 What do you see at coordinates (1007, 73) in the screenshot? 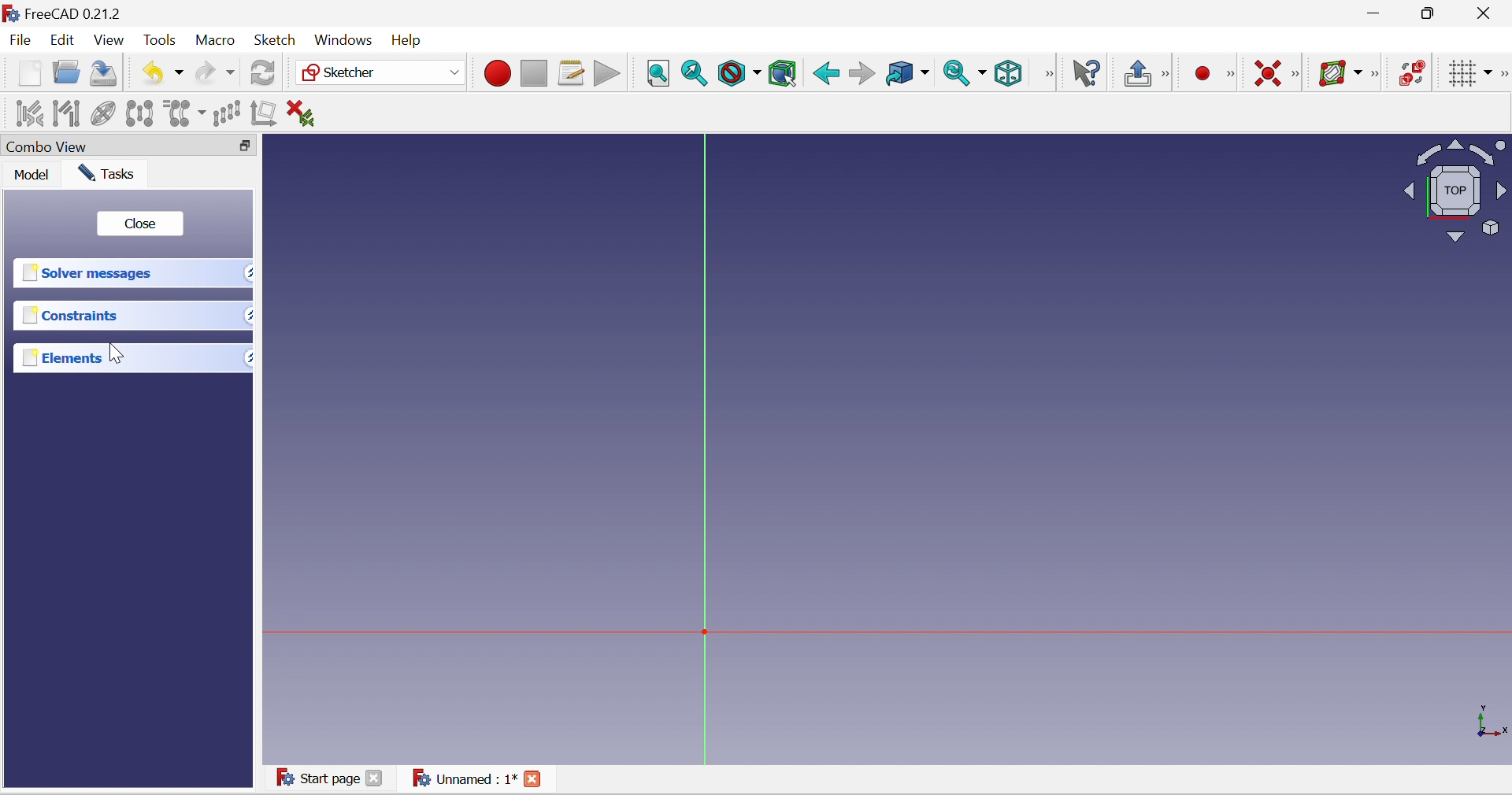
I see `Isometric` at bounding box center [1007, 73].